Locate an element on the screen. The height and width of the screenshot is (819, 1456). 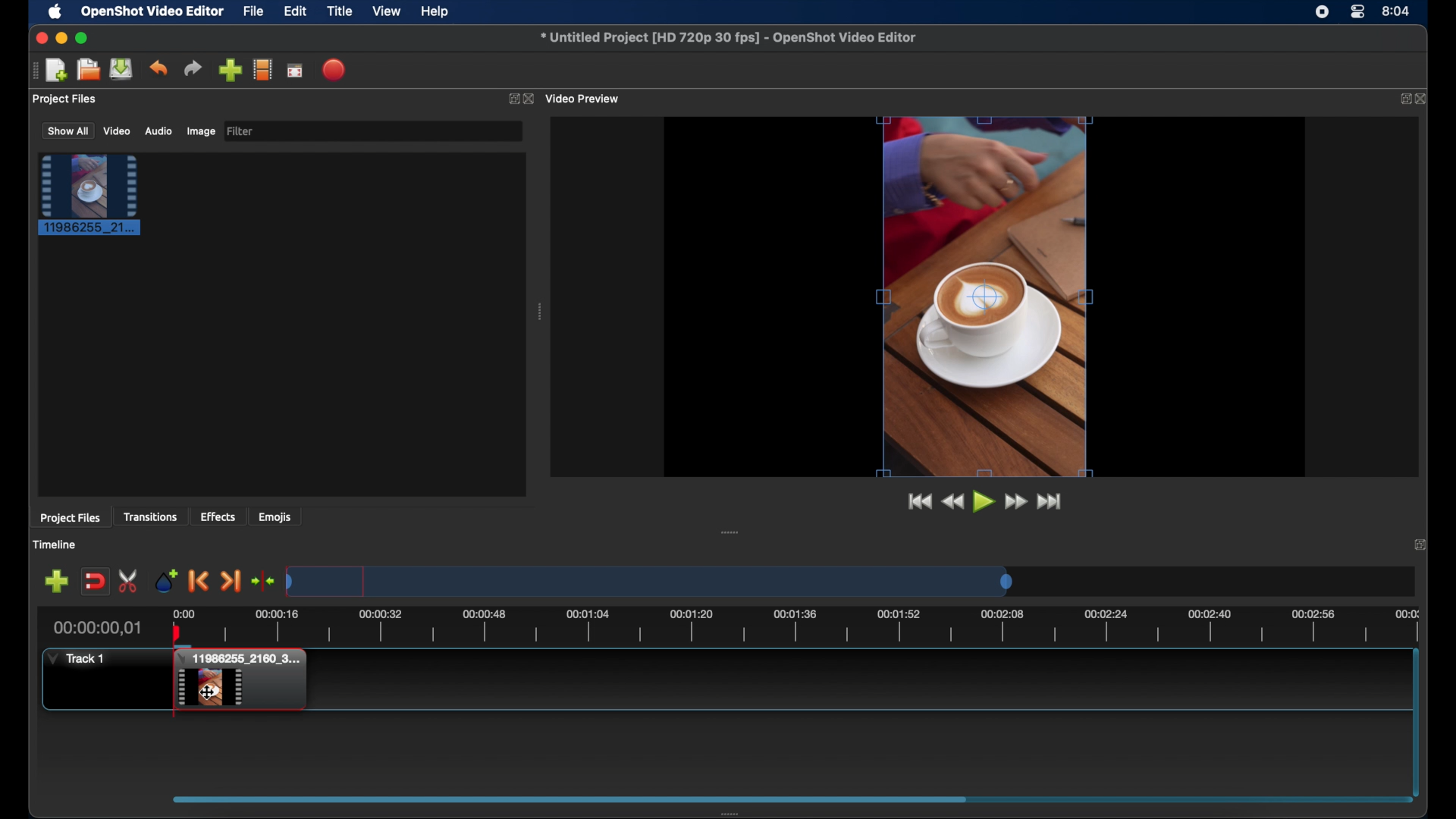
center  playhead on the timeline is located at coordinates (262, 579).